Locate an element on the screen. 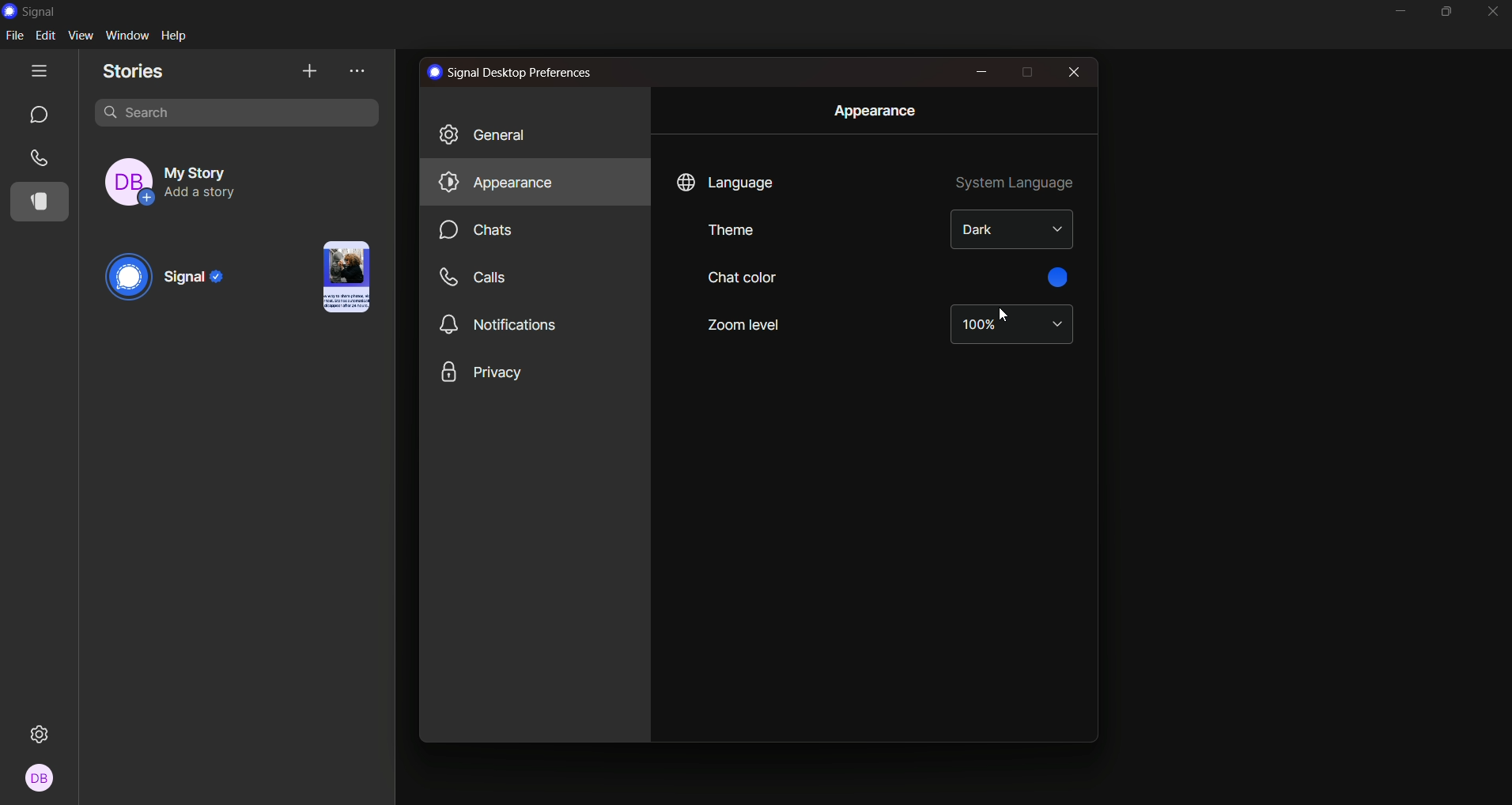 This screenshot has width=1512, height=805.  is located at coordinates (1057, 278).